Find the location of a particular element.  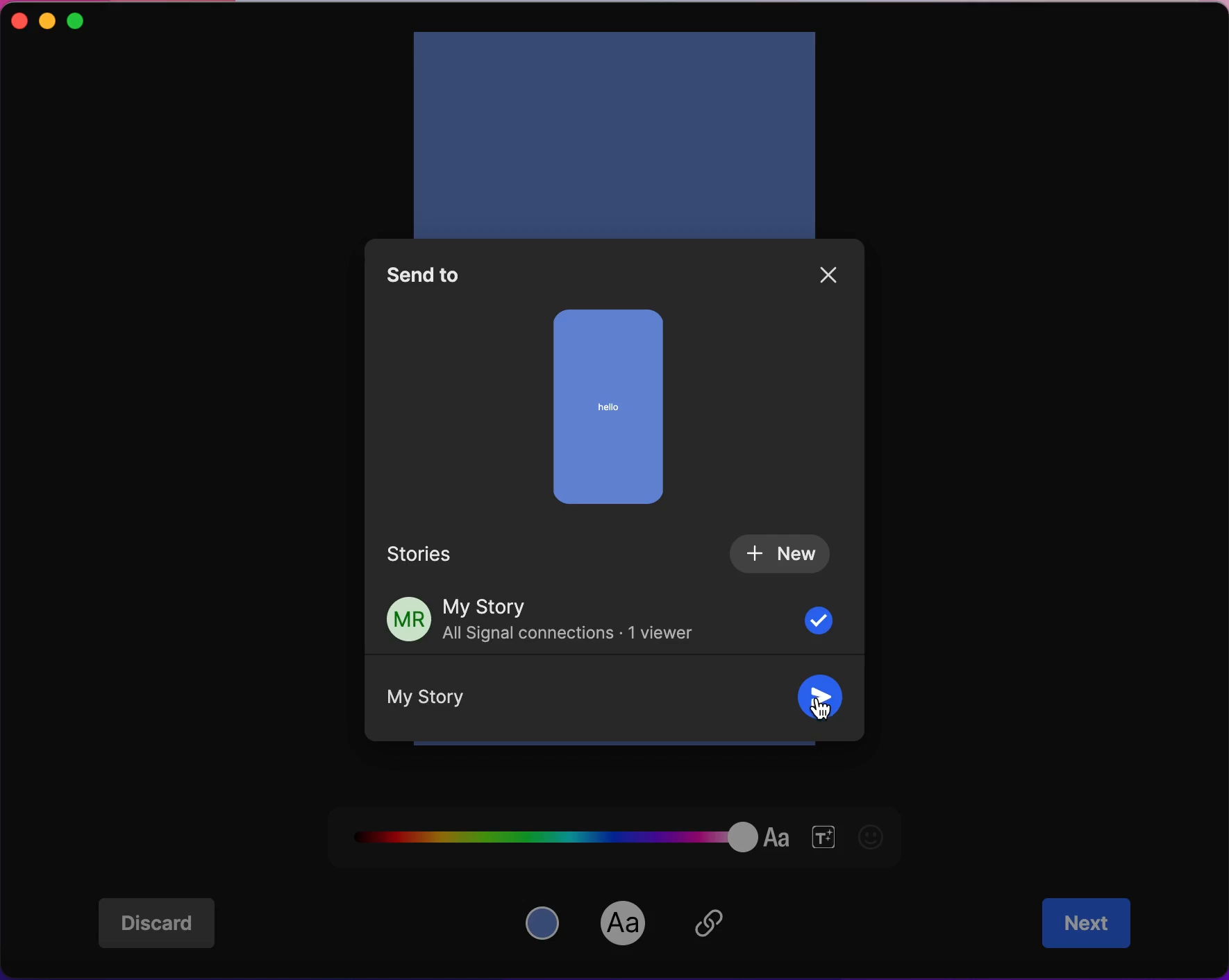

All Signal connections - 1 viewer is located at coordinates (570, 636).